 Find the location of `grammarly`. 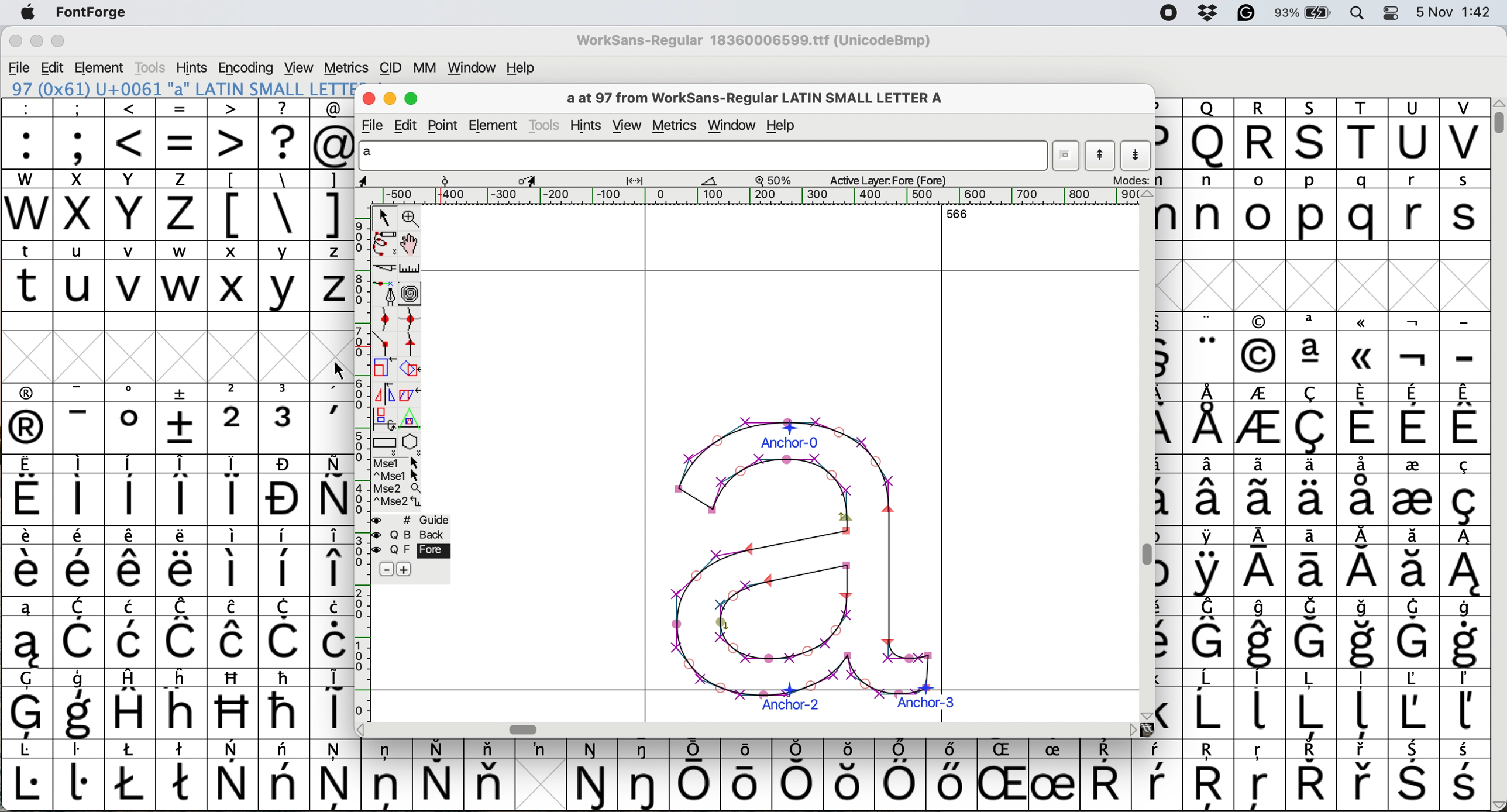

grammarly is located at coordinates (1245, 15).